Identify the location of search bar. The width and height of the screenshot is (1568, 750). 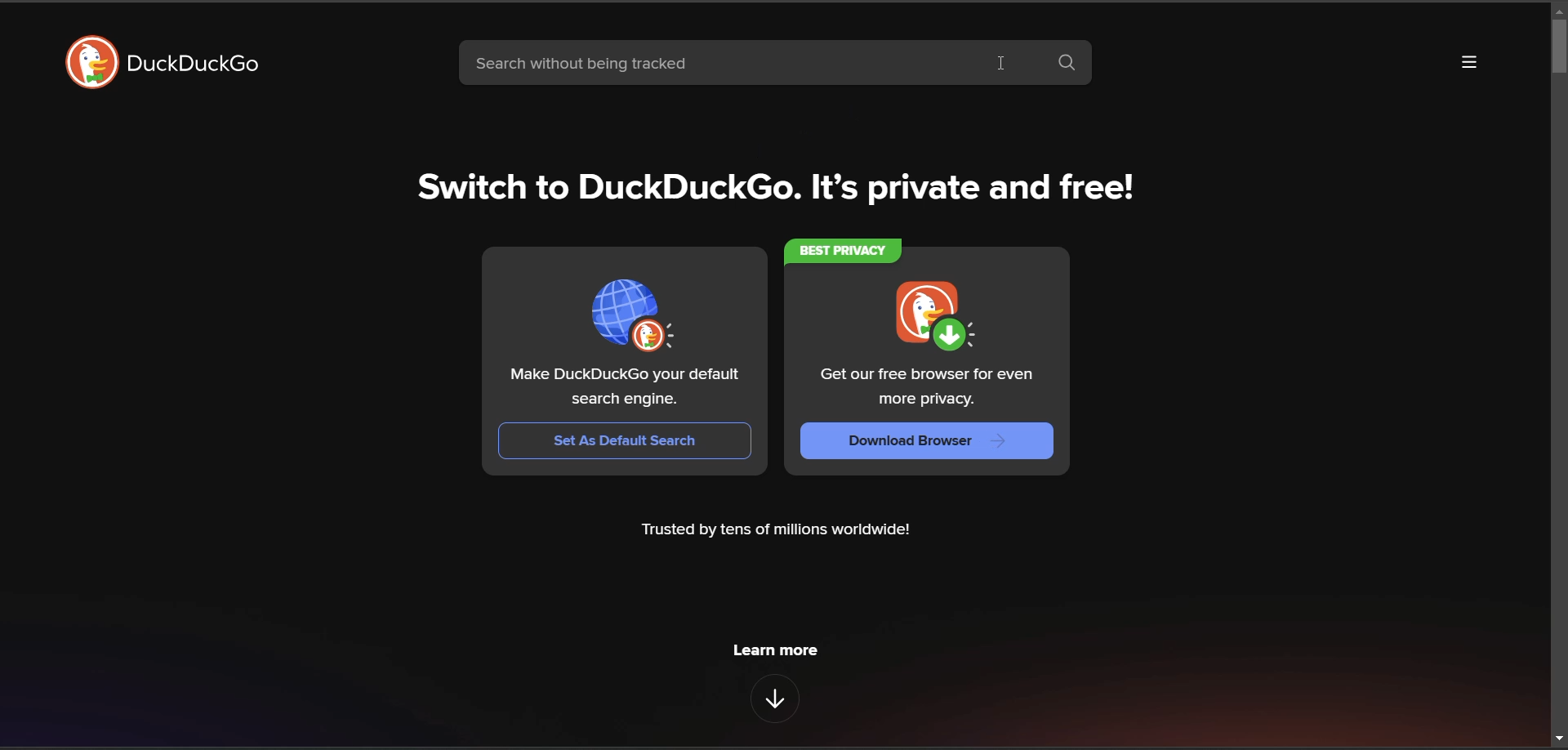
(746, 62).